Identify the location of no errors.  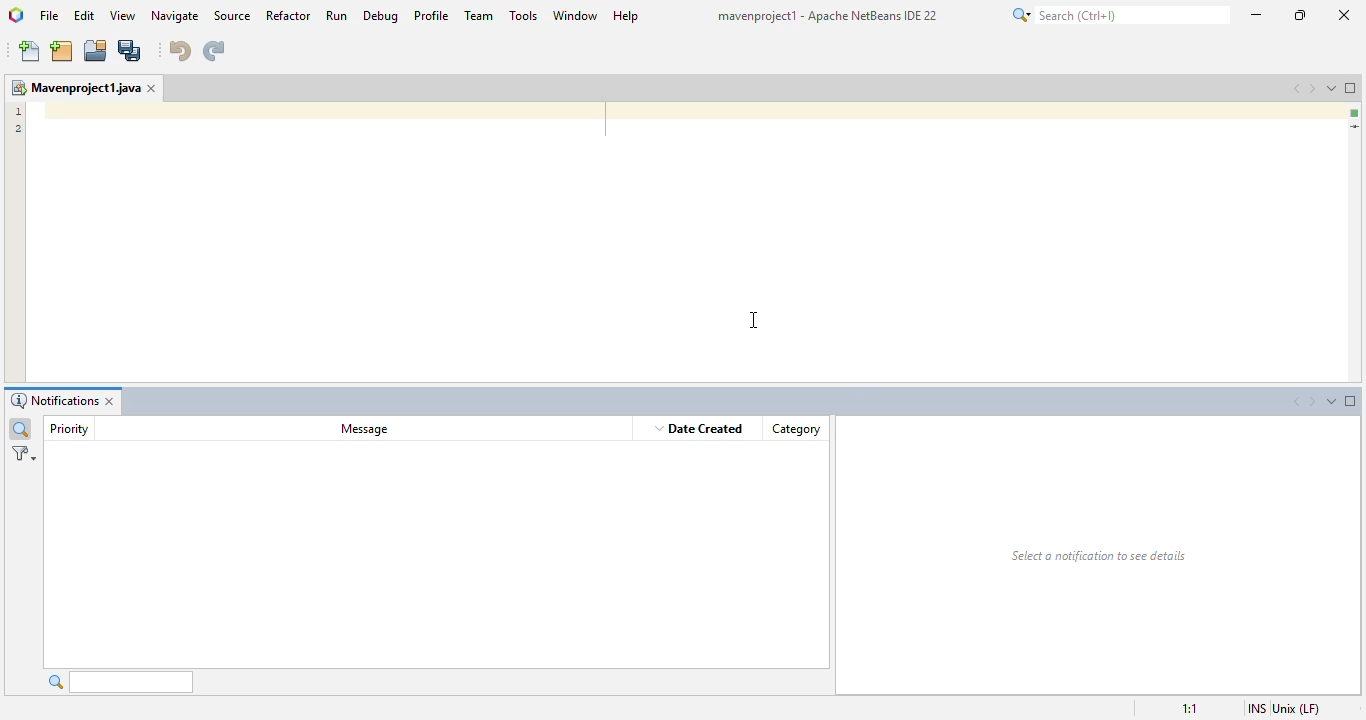
(1355, 113).